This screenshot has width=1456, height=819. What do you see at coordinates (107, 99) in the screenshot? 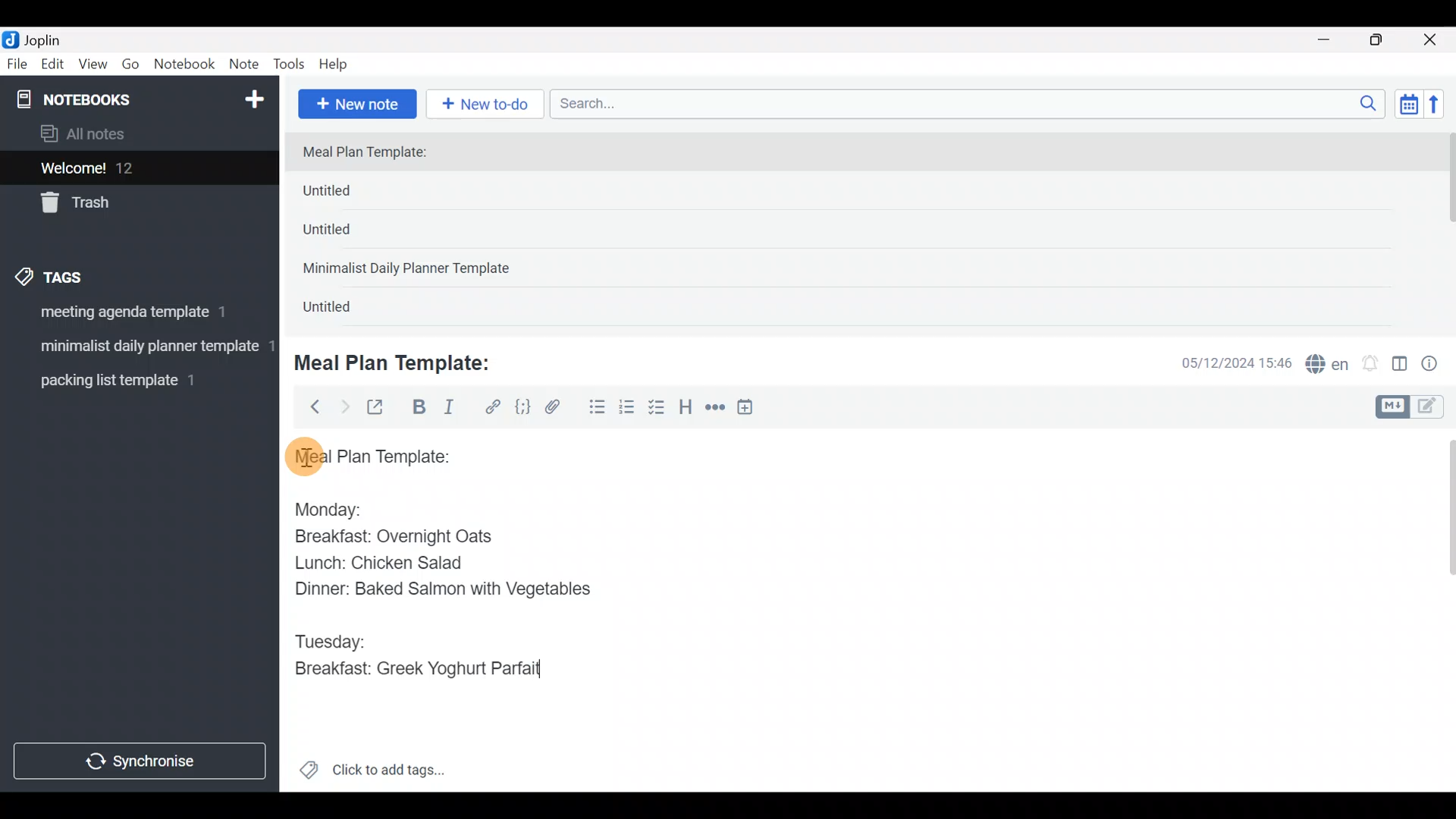
I see `Notebooks` at bounding box center [107, 99].